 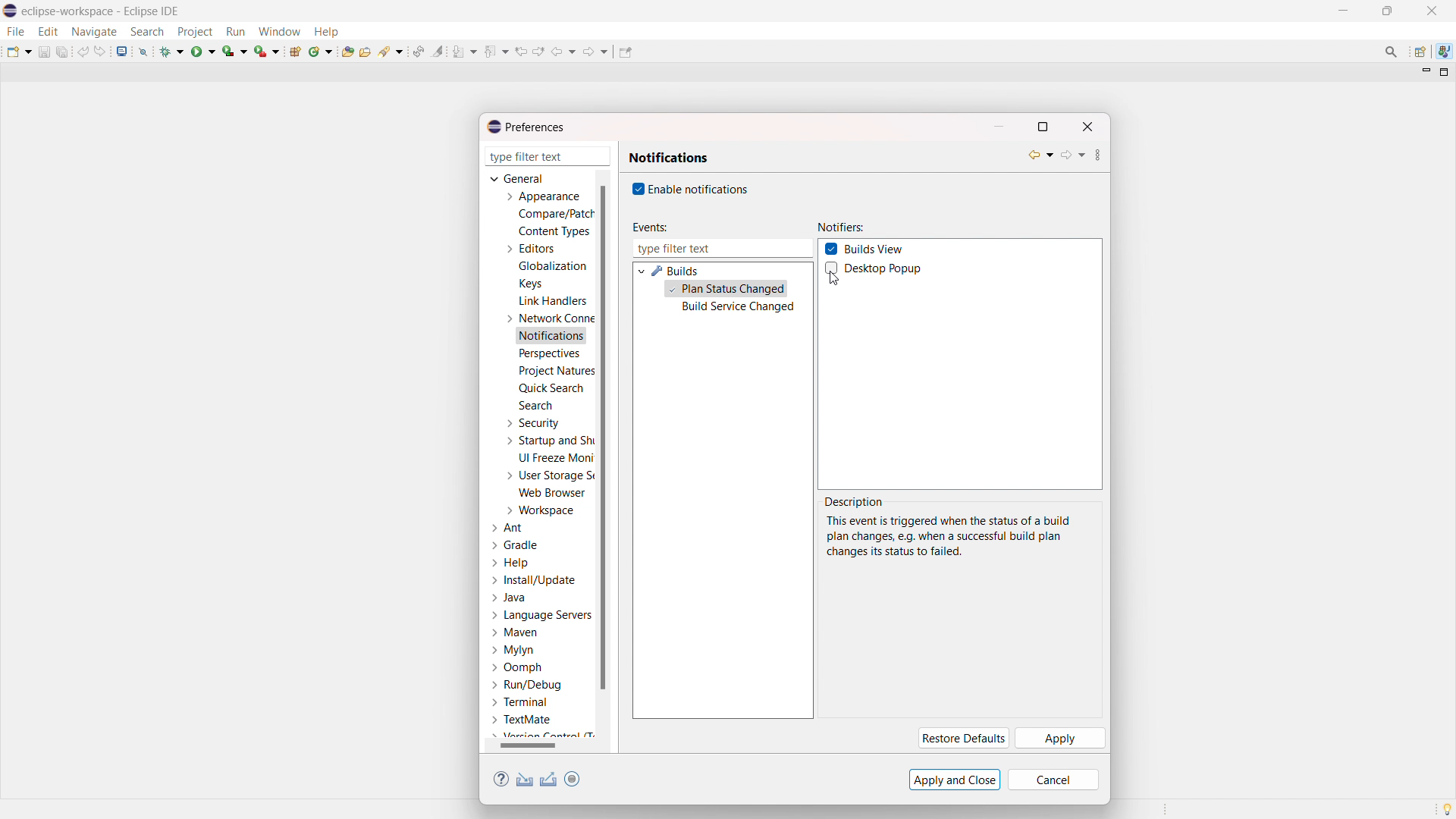 I want to click on java, so click(x=1445, y=52).